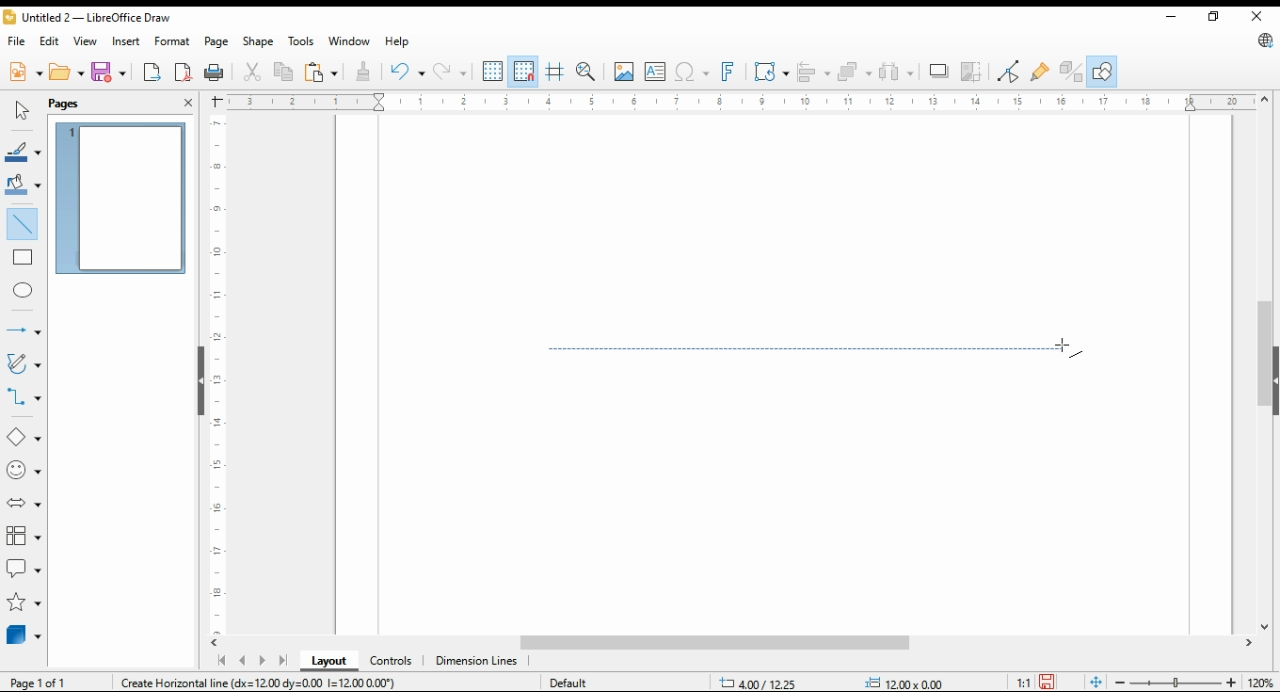  I want to click on crop, so click(974, 71).